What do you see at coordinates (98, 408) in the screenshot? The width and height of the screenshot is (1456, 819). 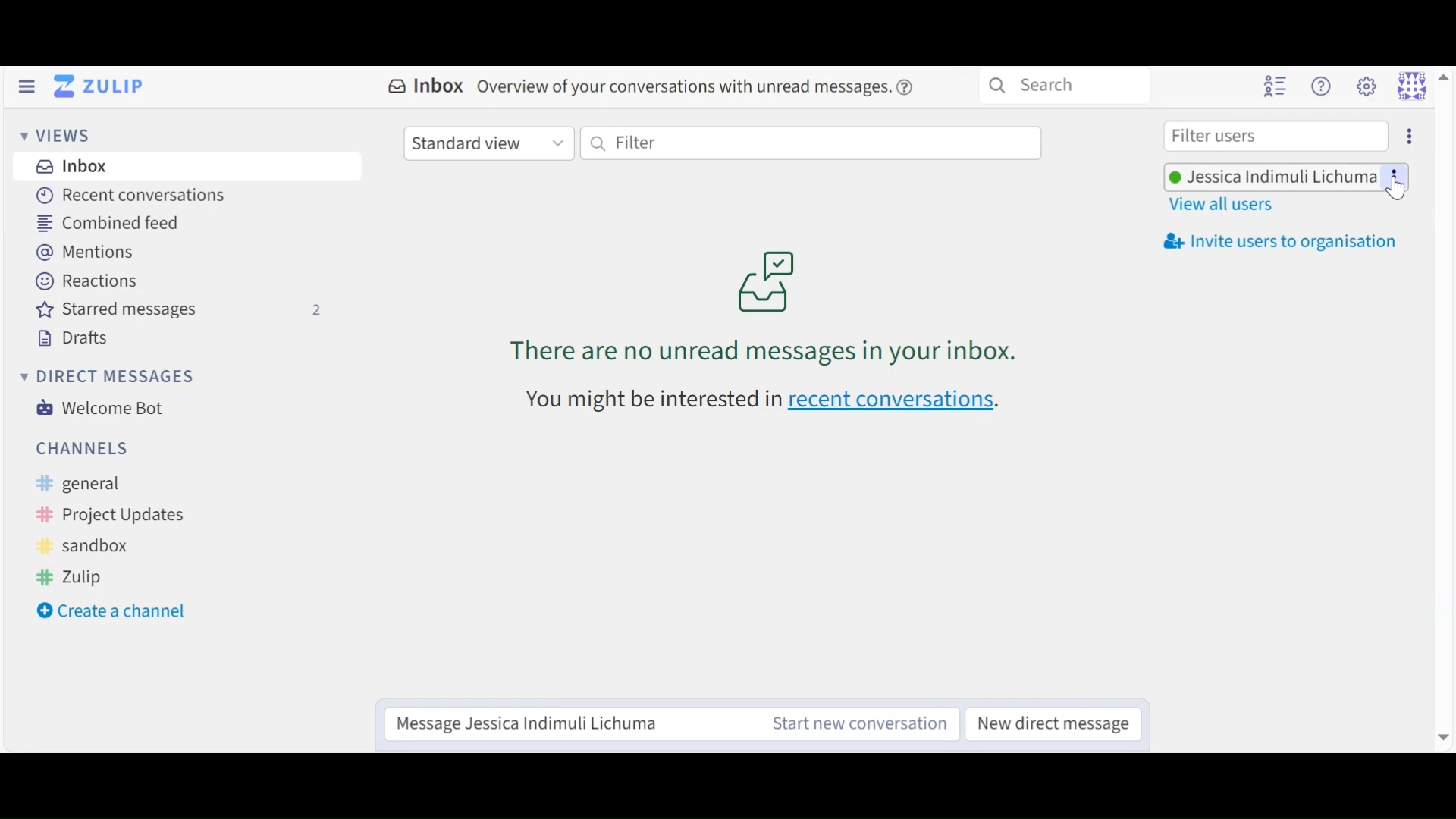 I see `Welcome Bot` at bounding box center [98, 408].